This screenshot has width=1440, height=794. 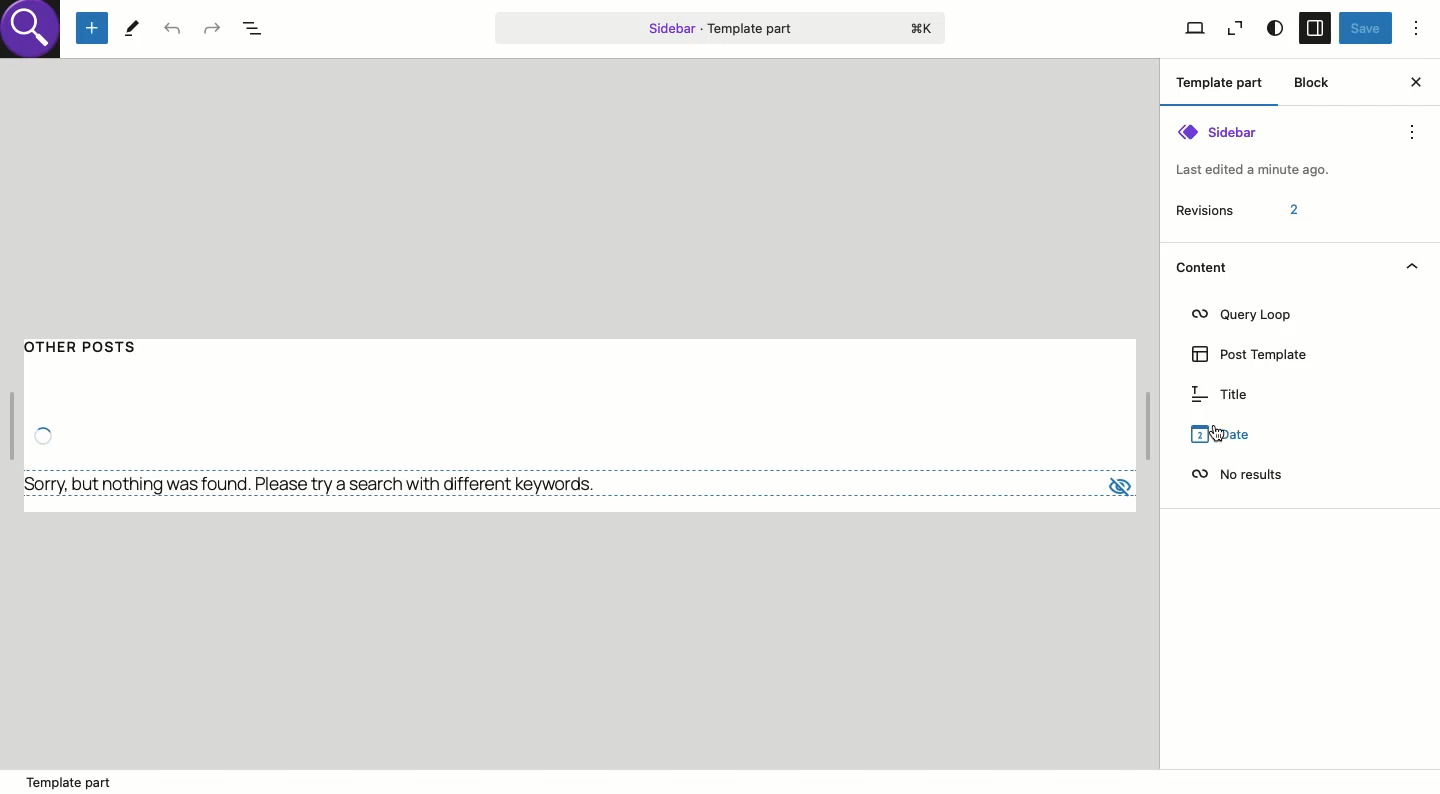 I want to click on Document overview , so click(x=259, y=30).